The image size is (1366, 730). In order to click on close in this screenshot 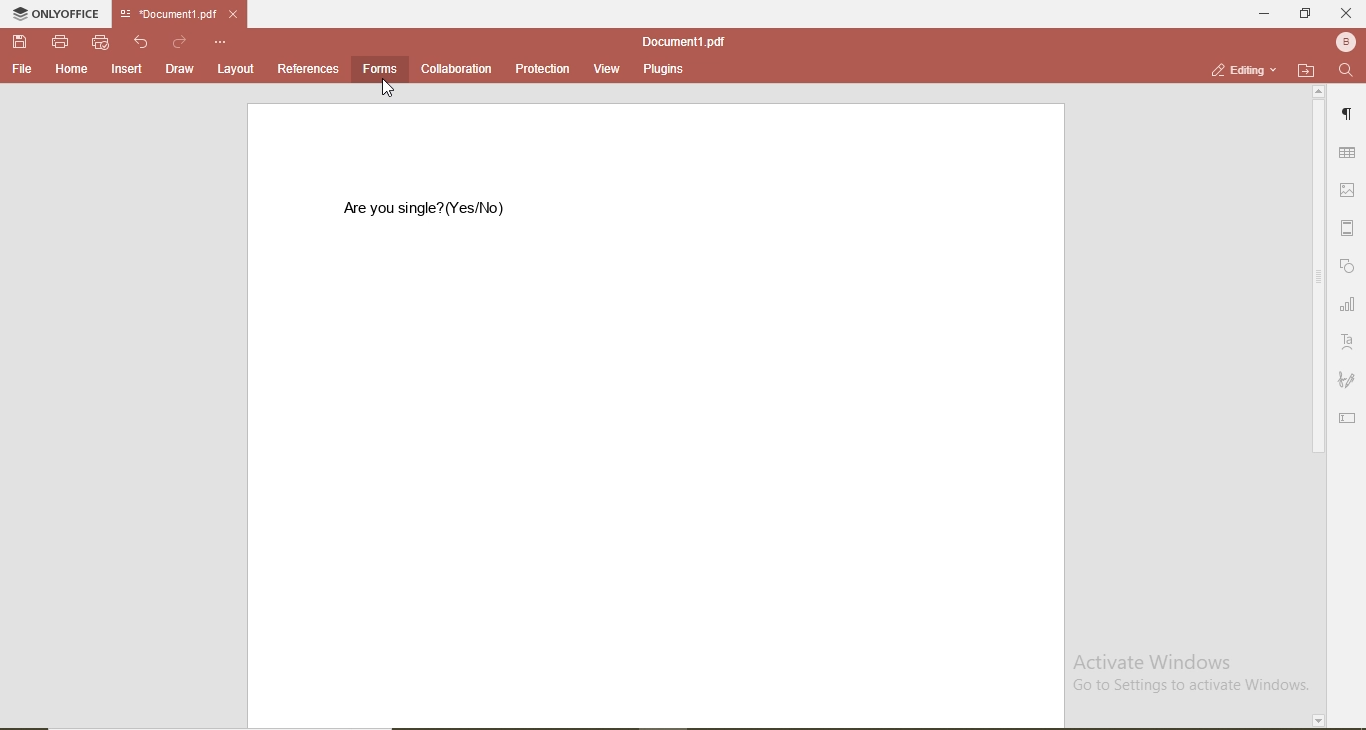, I will do `click(1347, 14)`.